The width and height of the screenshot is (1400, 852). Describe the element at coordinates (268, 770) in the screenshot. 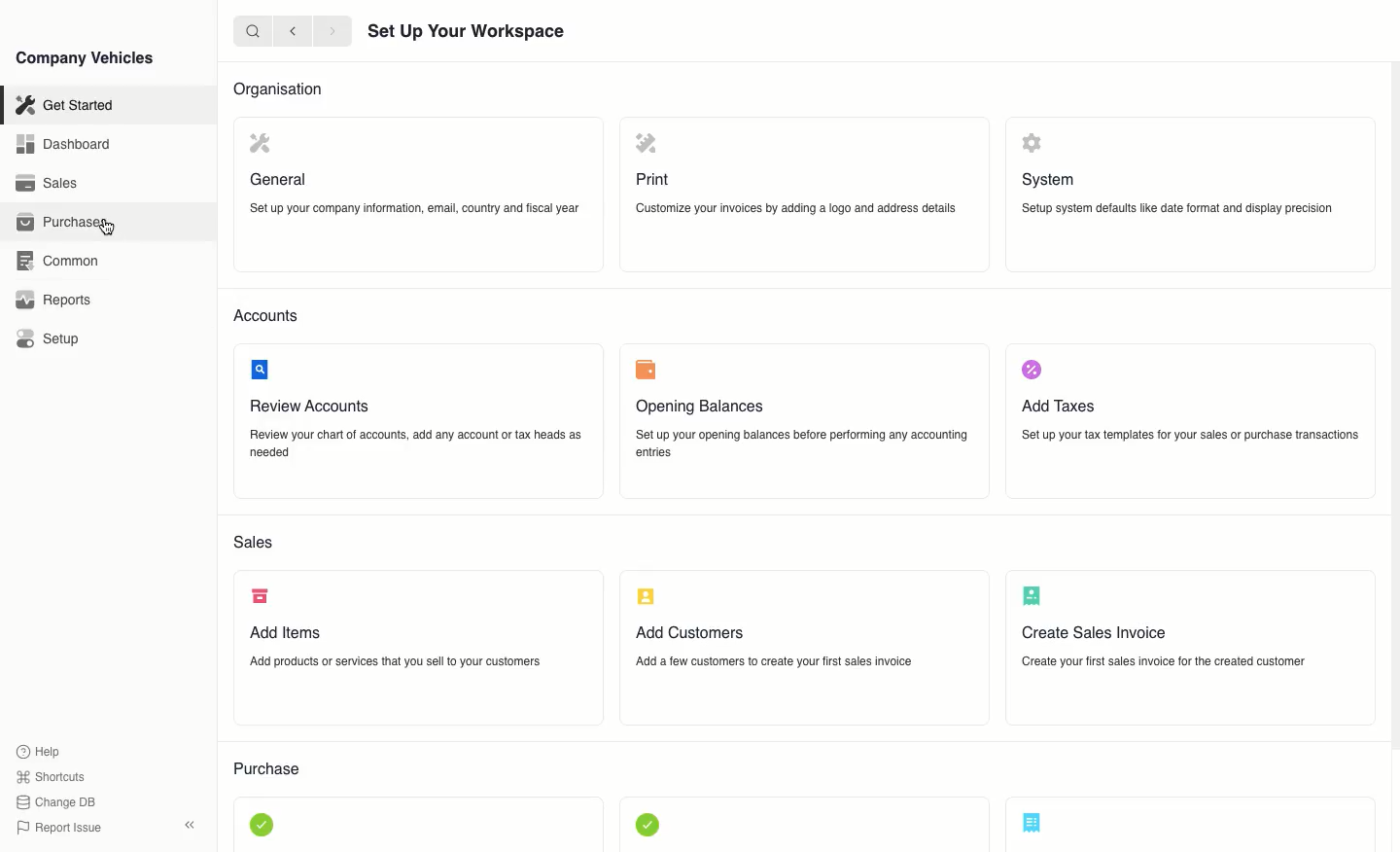

I see `Purchase` at that location.